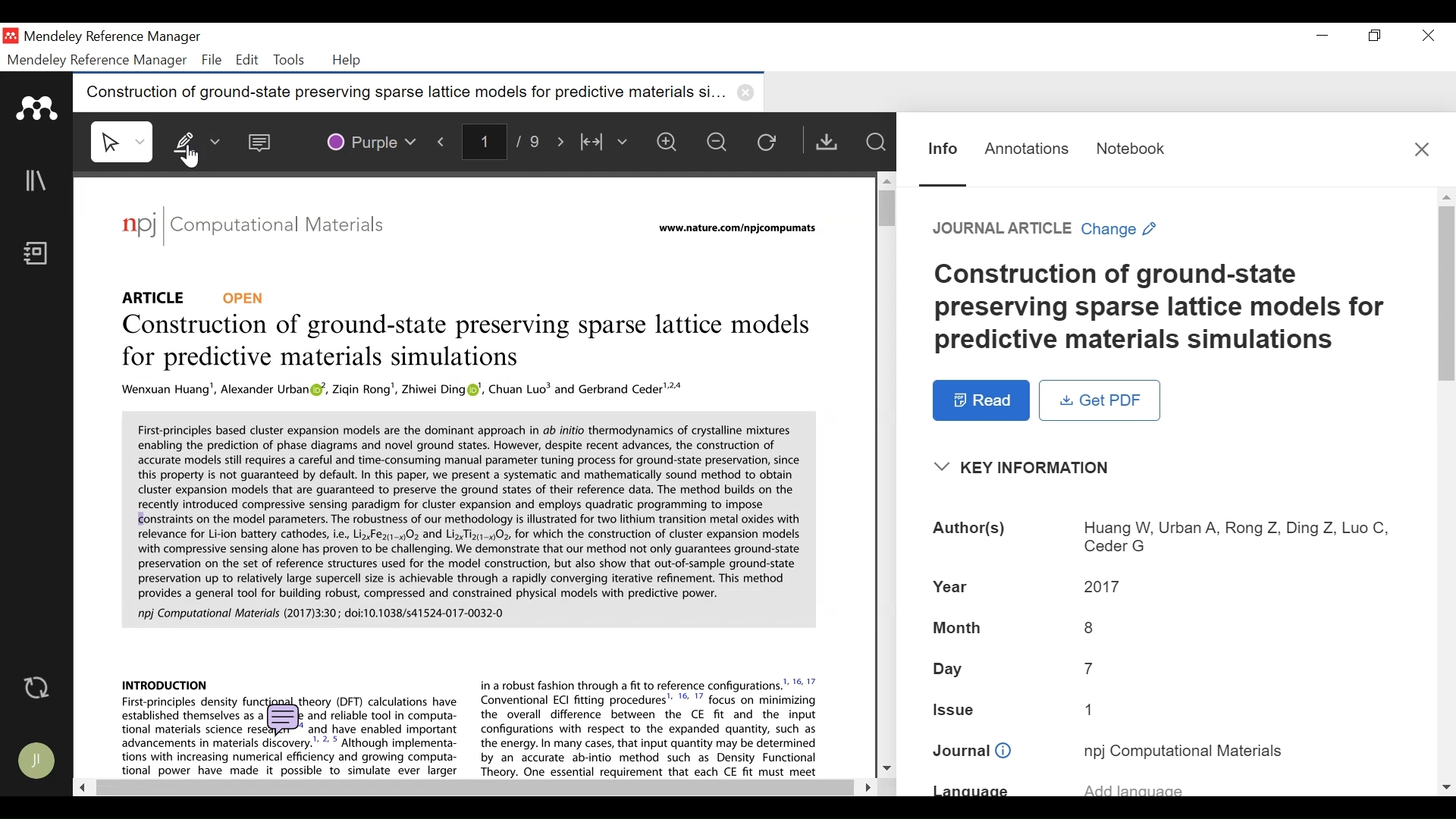 The height and width of the screenshot is (819, 1456). Describe the element at coordinates (1323, 36) in the screenshot. I see `minimize` at that location.